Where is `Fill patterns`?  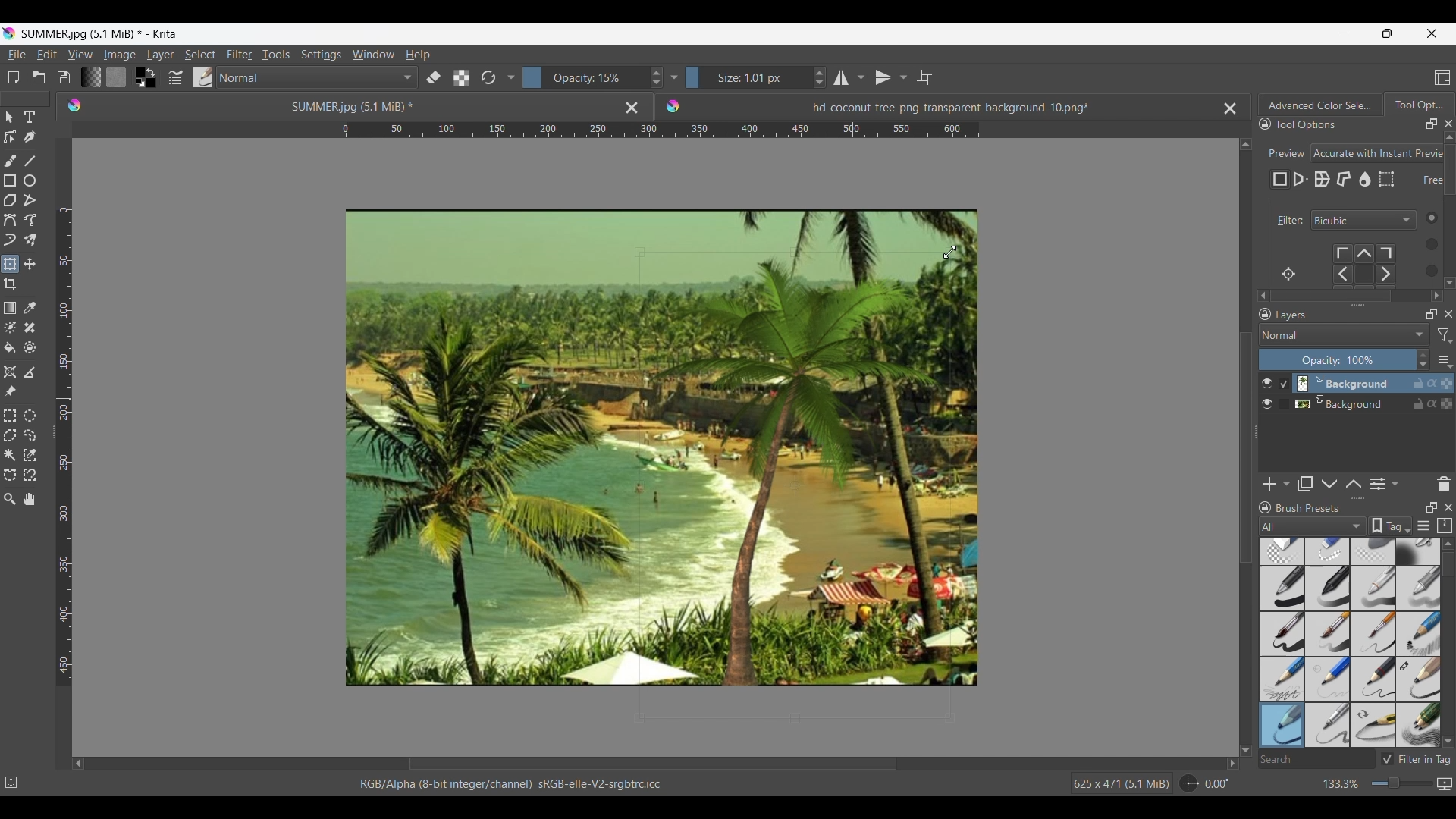 Fill patterns is located at coordinates (116, 77).